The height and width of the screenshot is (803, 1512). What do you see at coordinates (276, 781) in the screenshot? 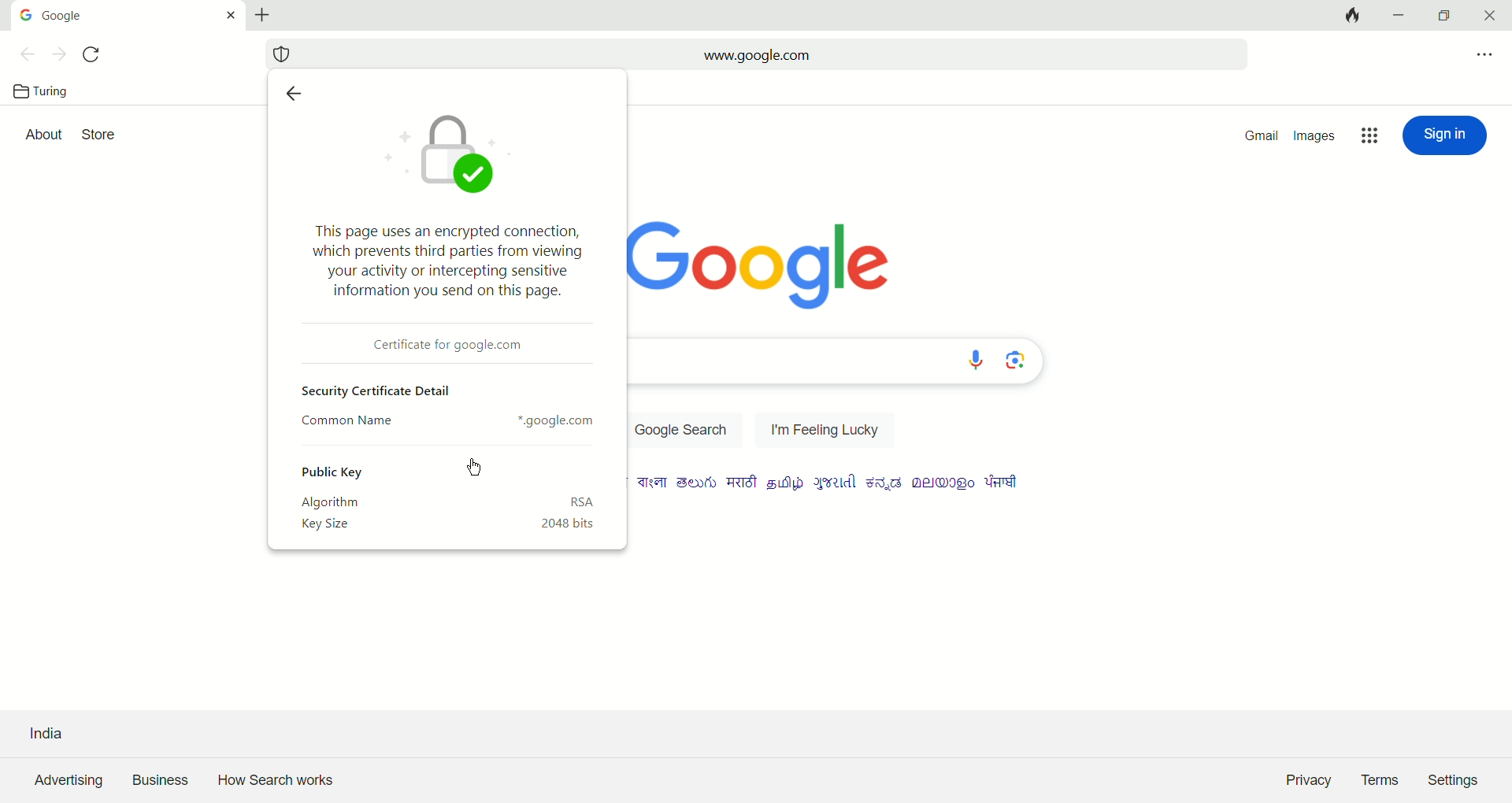
I see `How search works` at bounding box center [276, 781].